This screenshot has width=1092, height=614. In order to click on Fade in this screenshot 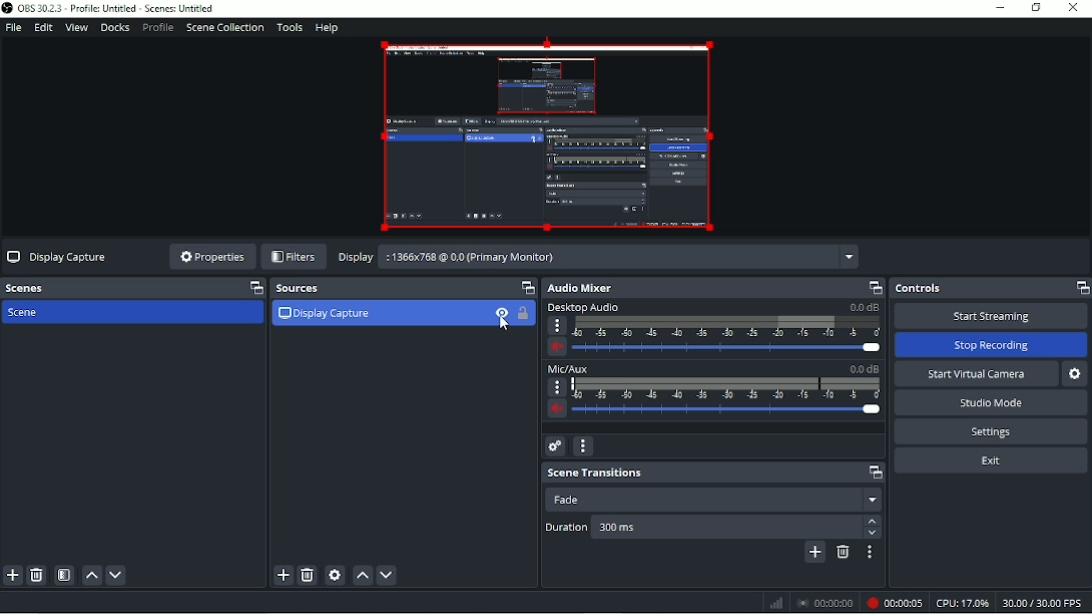, I will do `click(717, 499)`.